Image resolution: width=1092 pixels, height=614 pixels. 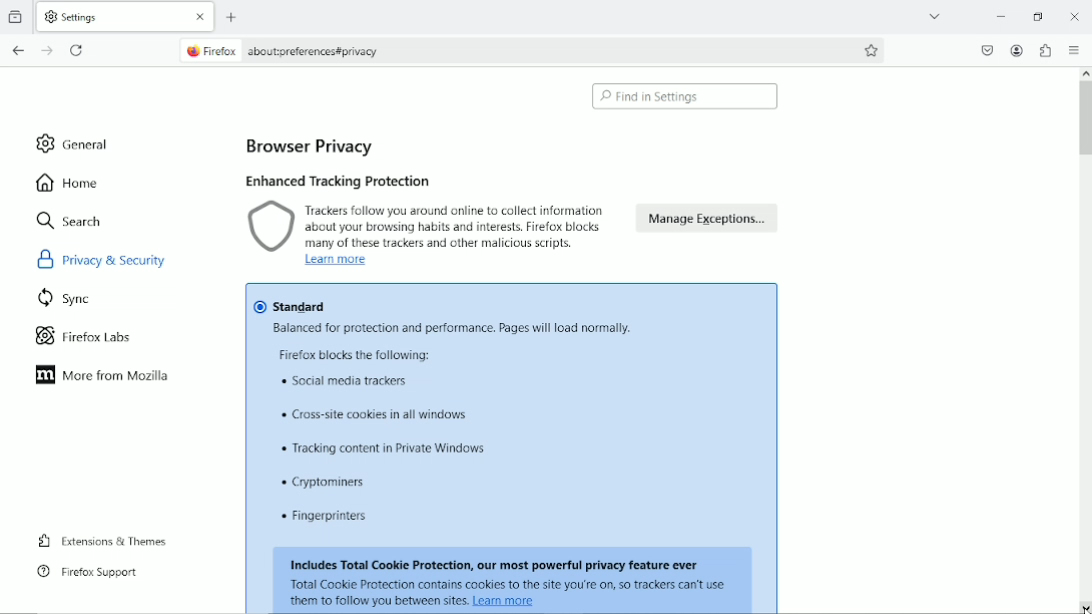 I want to click on save to pocket, so click(x=987, y=50).